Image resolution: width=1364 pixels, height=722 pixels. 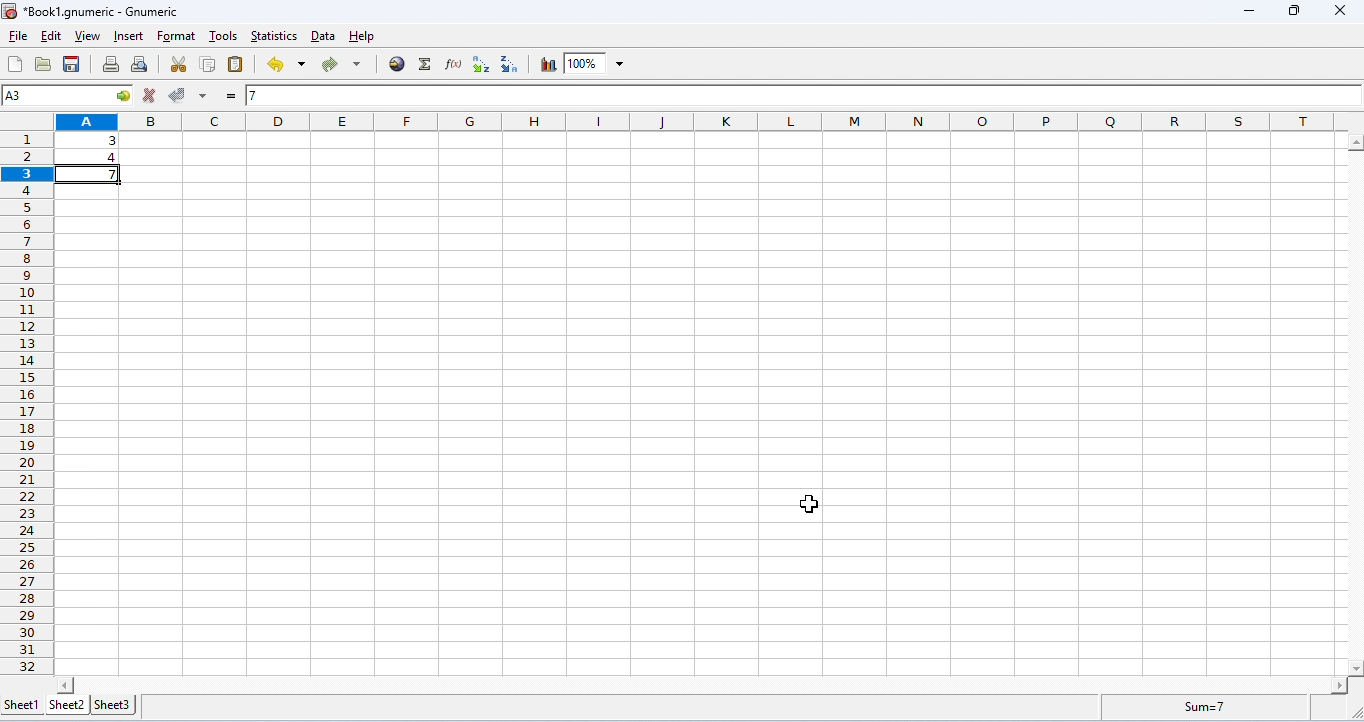 What do you see at coordinates (204, 97) in the screenshot?
I see `accept multiple` at bounding box center [204, 97].